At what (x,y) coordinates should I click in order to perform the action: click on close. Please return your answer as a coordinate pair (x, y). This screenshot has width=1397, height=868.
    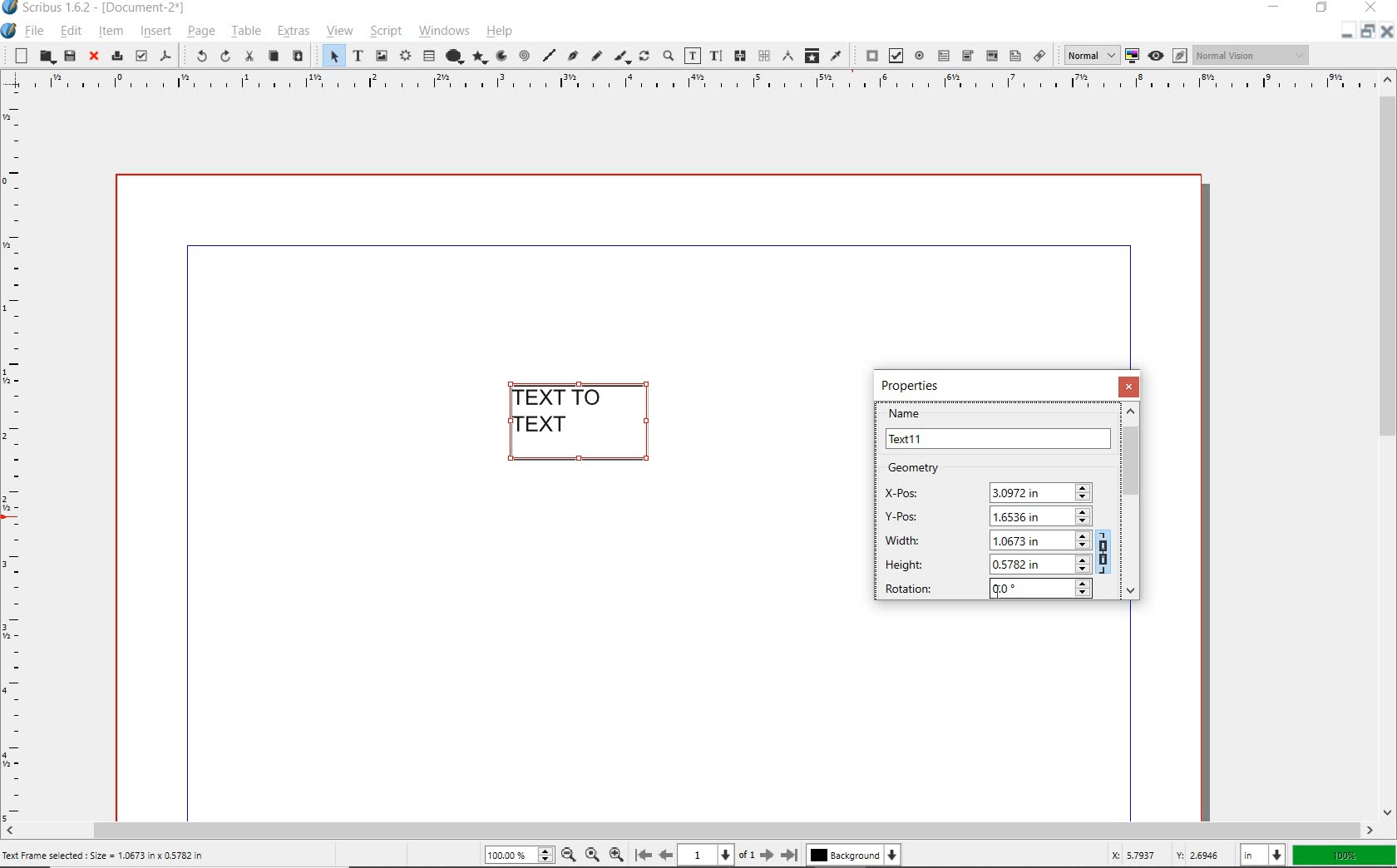
    Looking at the image, I should click on (94, 57).